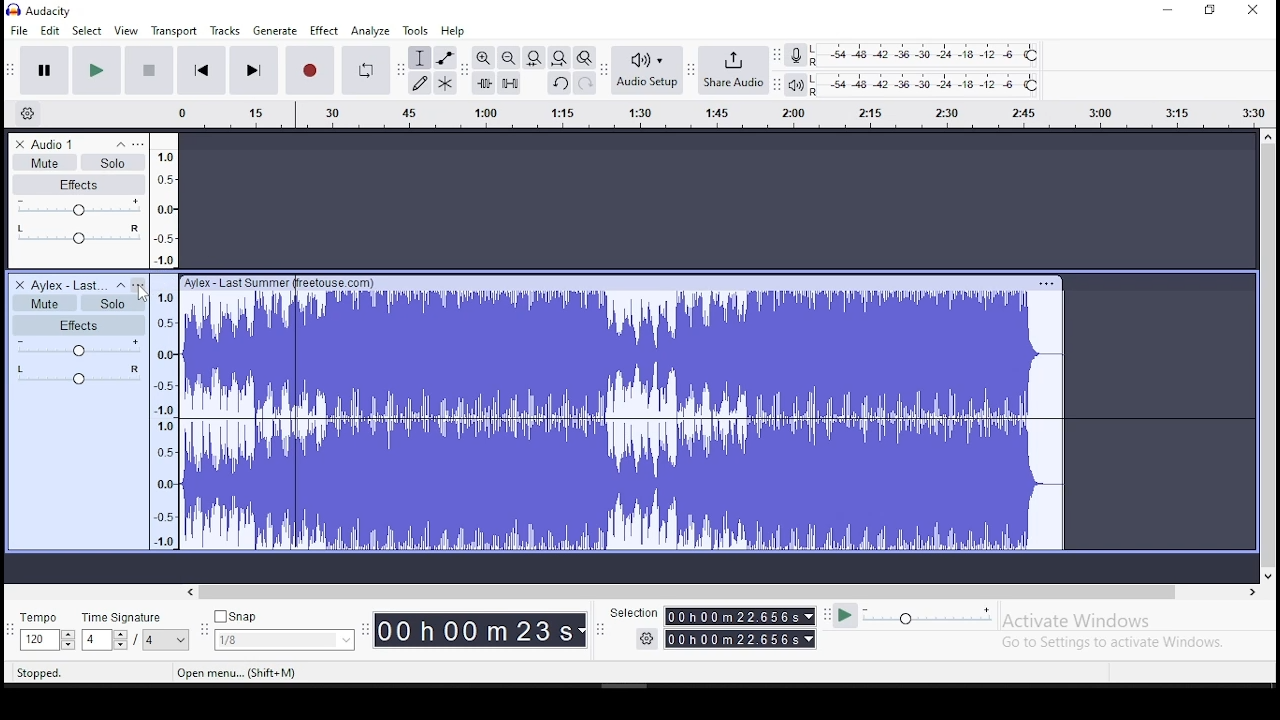 The image size is (1280, 720). I want to click on solo, so click(110, 302).